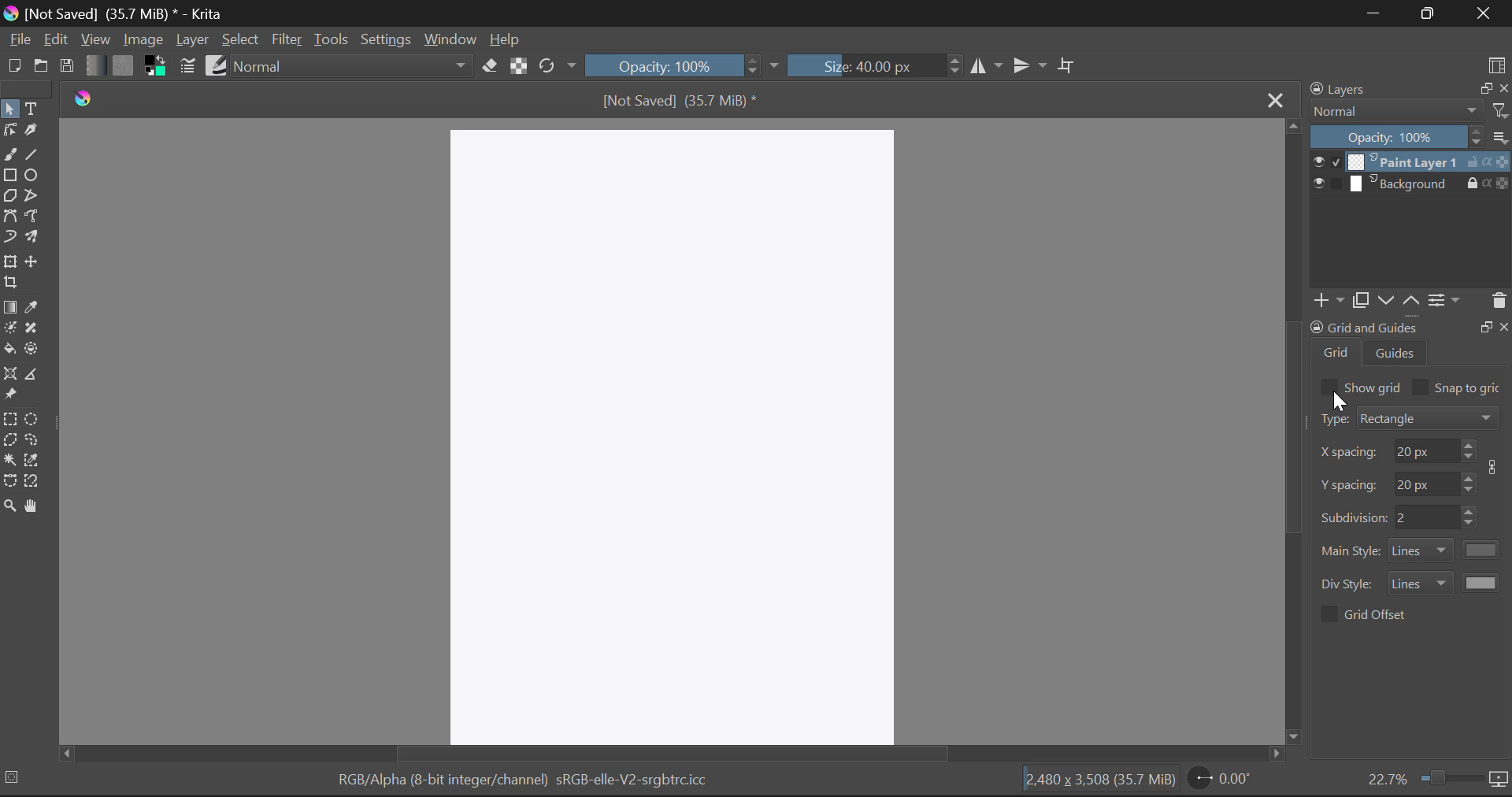  Describe the element at coordinates (1332, 418) in the screenshot. I see `type` at that location.